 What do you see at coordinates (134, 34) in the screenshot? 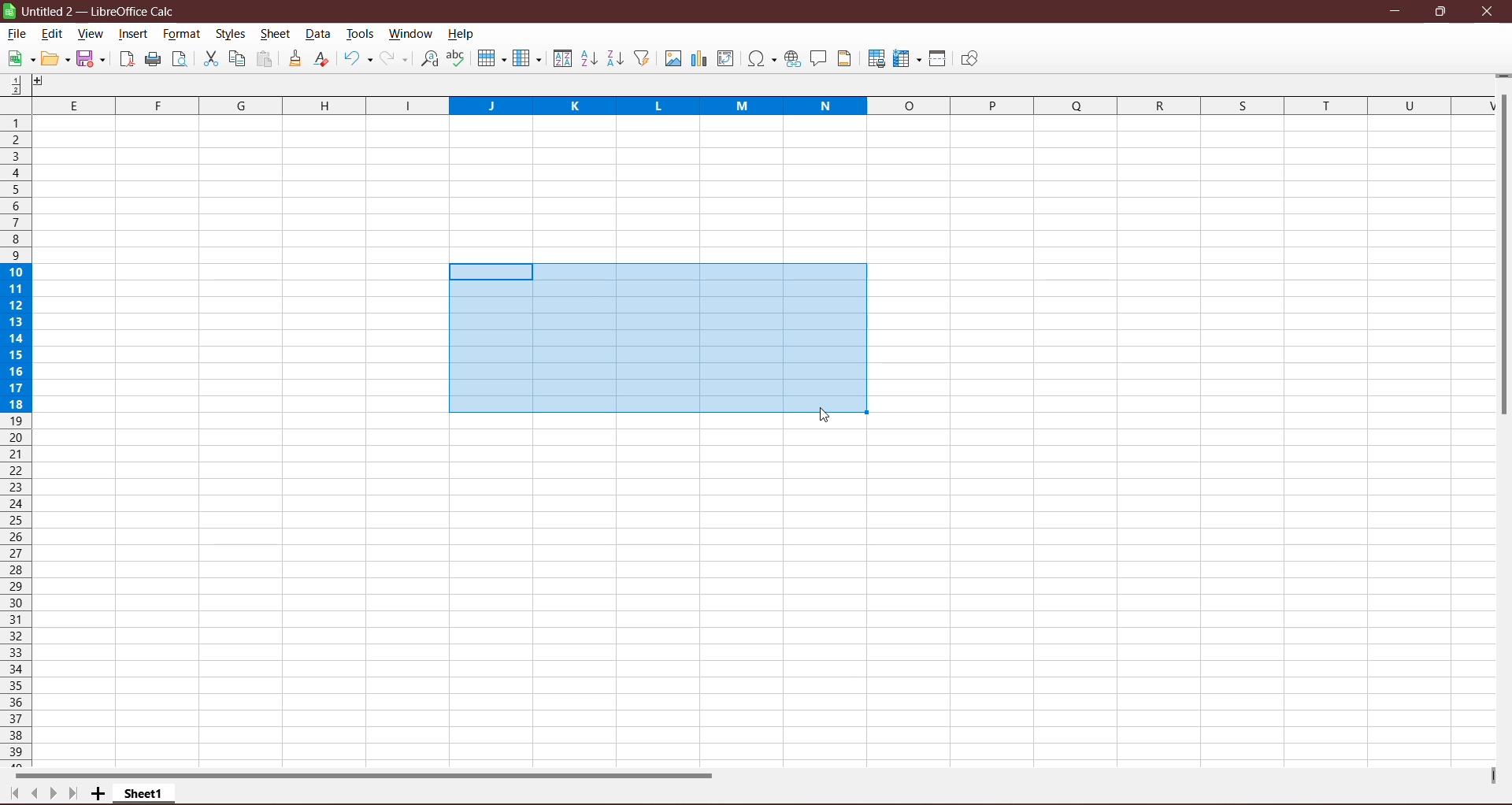
I see `Insert` at bounding box center [134, 34].